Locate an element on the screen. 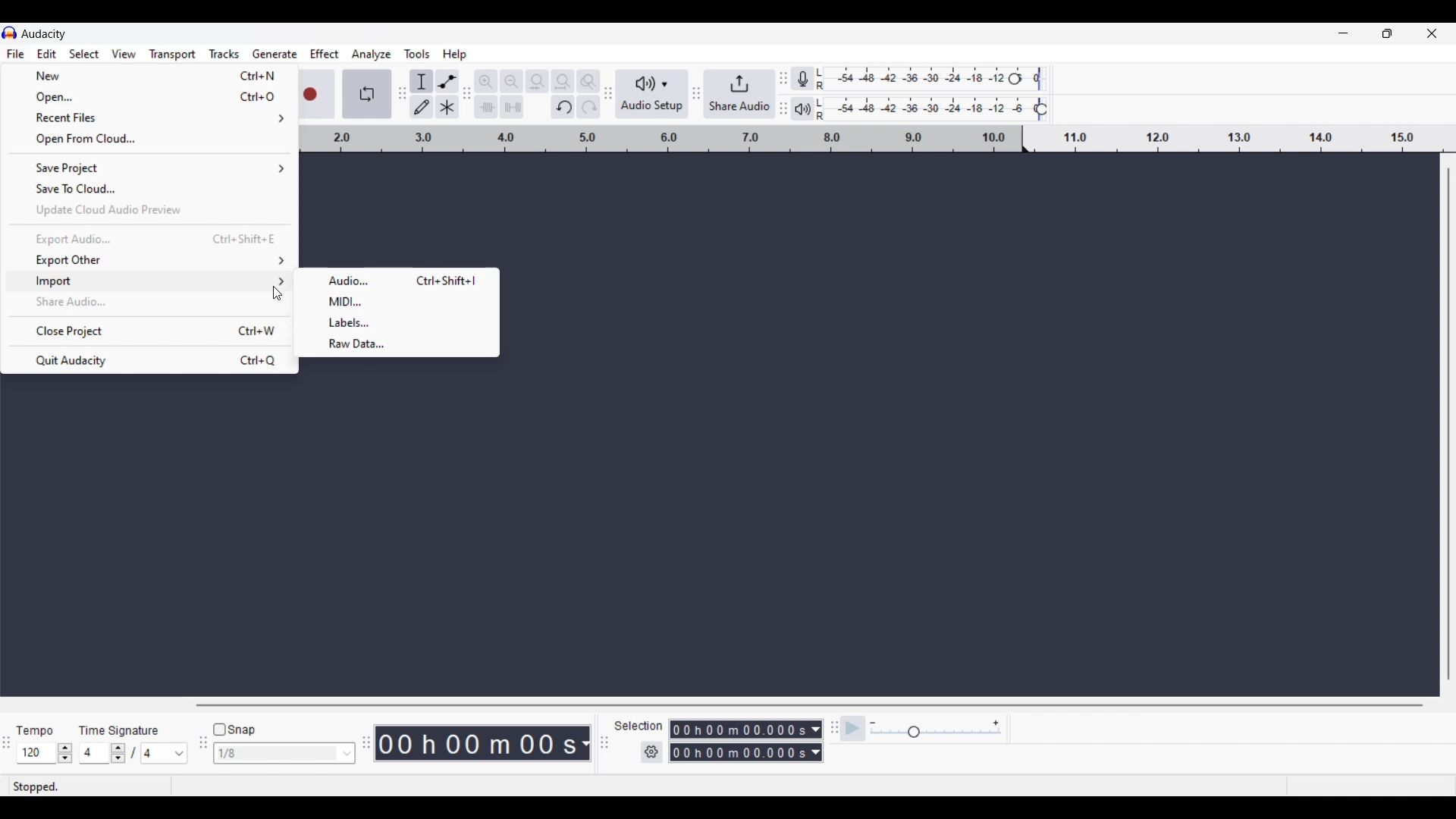  edit tool bar is located at coordinates (469, 96).